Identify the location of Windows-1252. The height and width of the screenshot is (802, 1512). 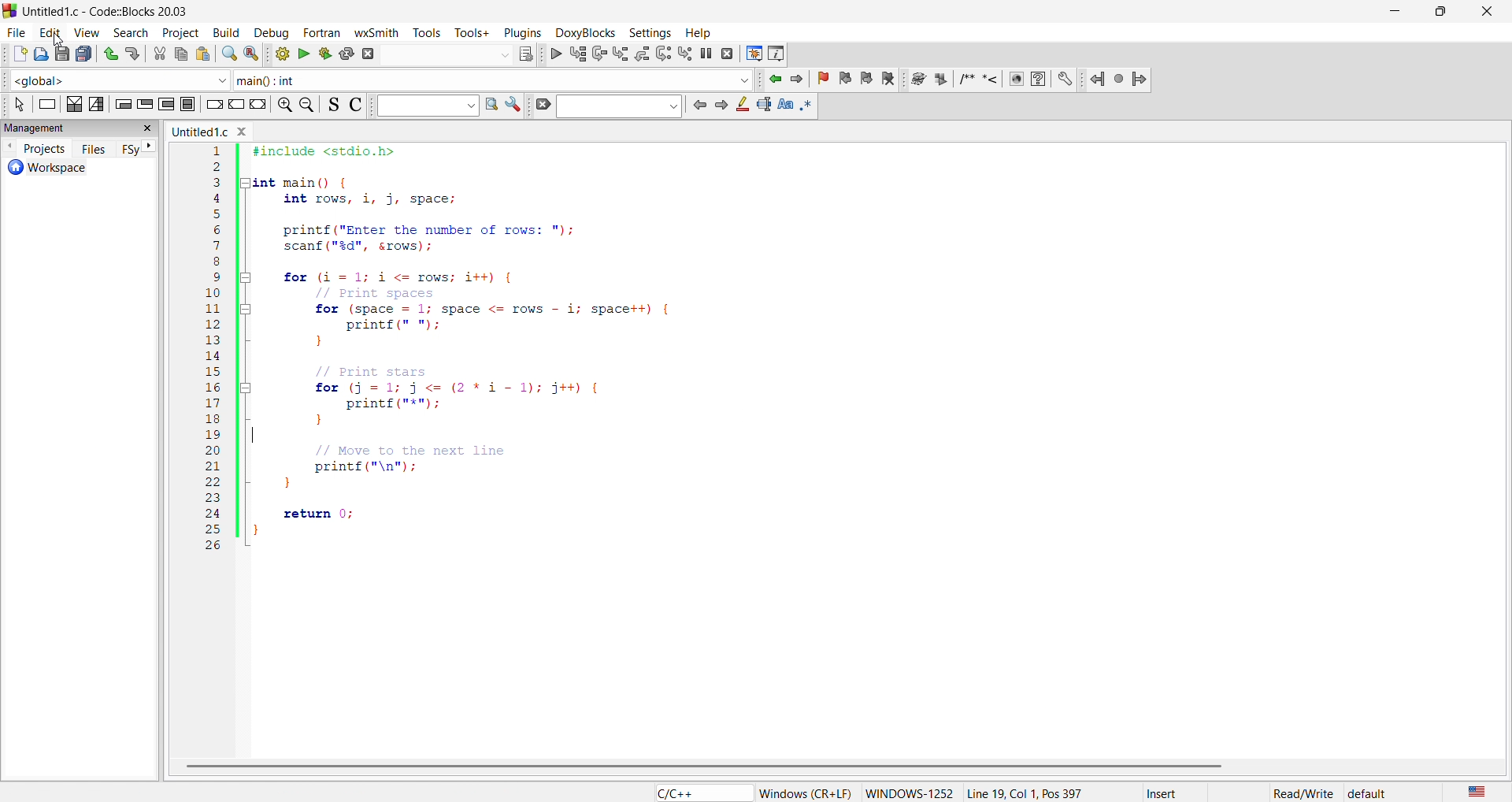
(910, 793).